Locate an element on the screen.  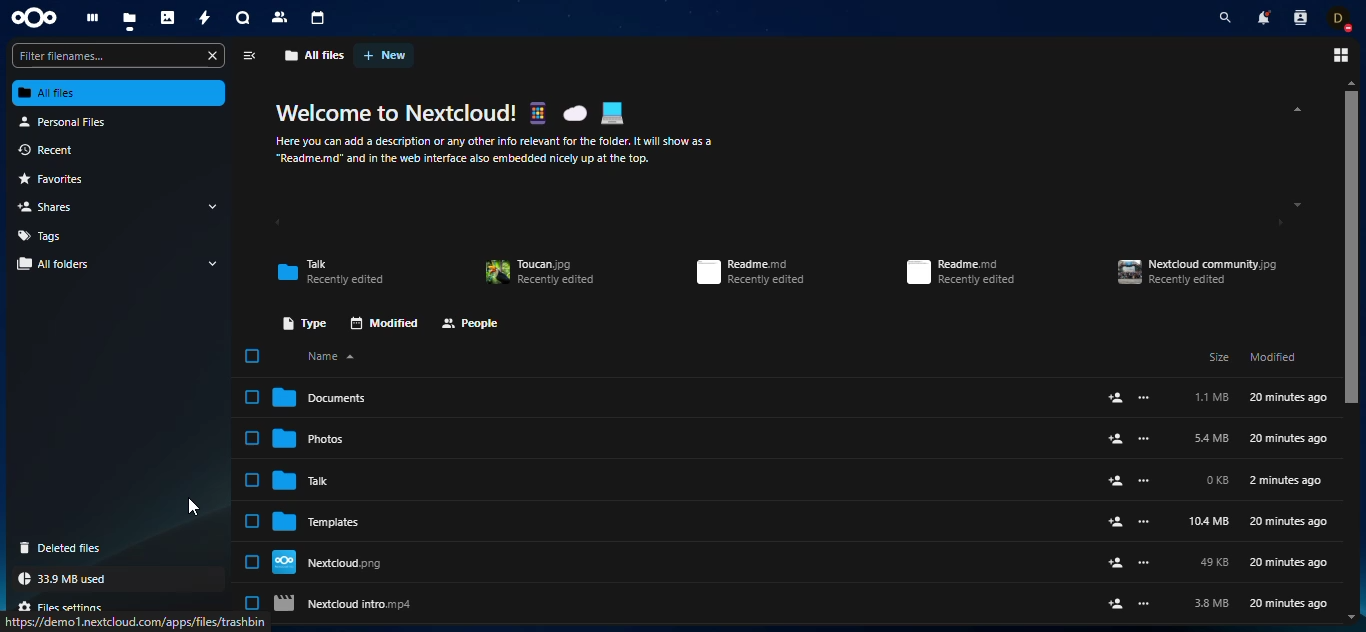
Dashboard is located at coordinates (91, 18).